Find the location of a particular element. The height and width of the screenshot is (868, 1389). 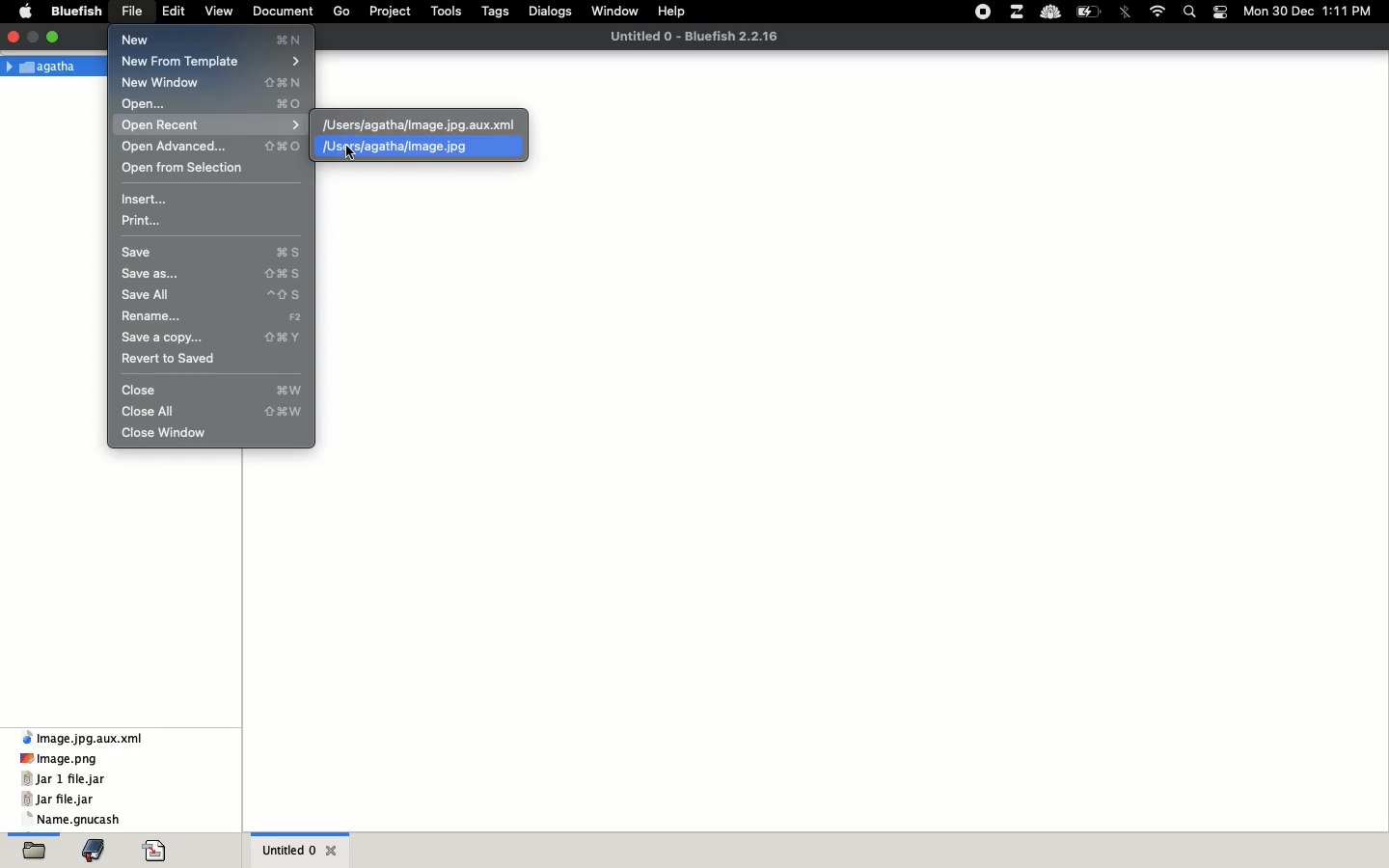

window is located at coordinates (618, 9).